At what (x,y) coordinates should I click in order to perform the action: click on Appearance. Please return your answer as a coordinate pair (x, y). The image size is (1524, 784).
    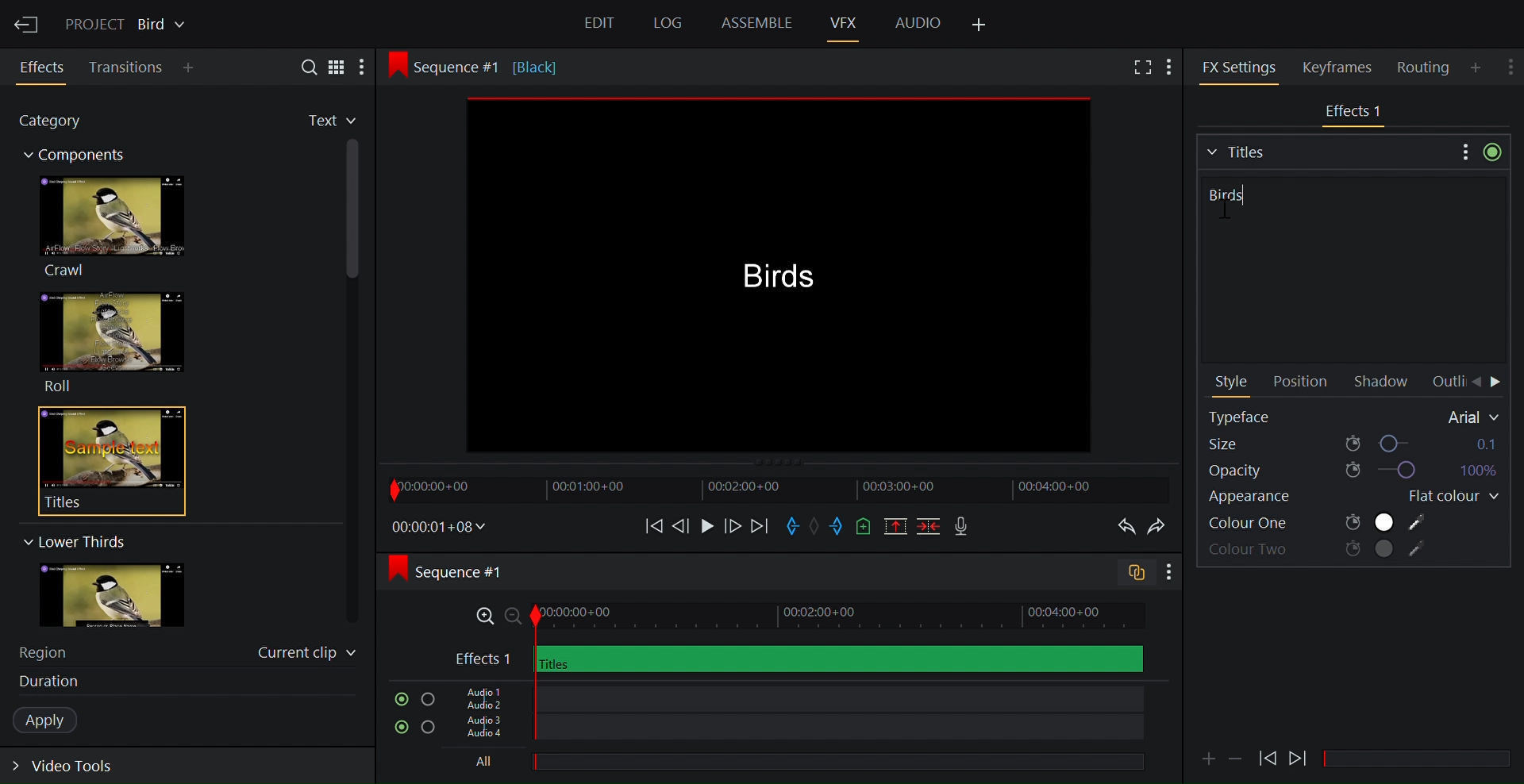
    Looking at the image, I should click on (1268, 499).